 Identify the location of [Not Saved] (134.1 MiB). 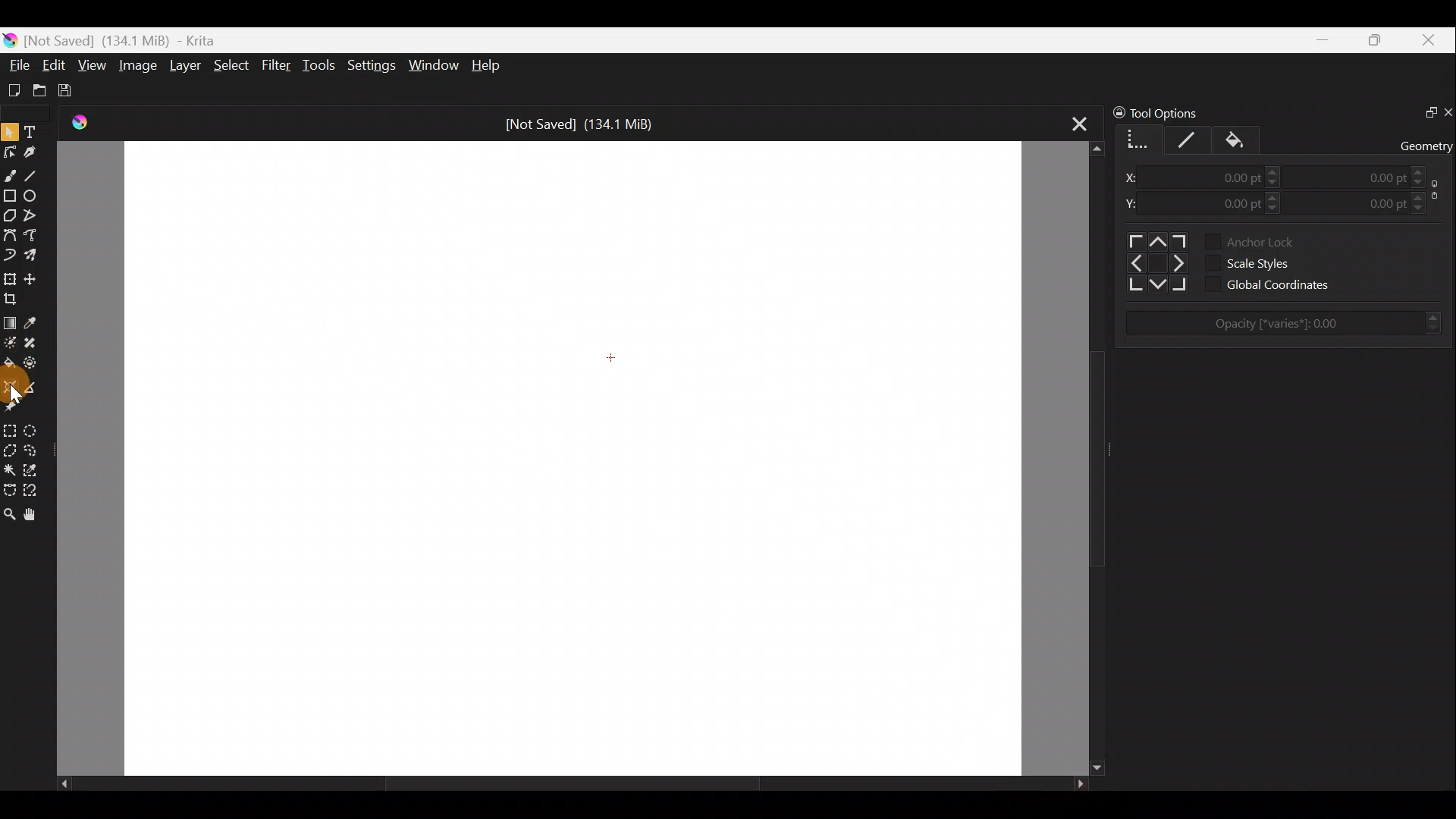
(587, 122).